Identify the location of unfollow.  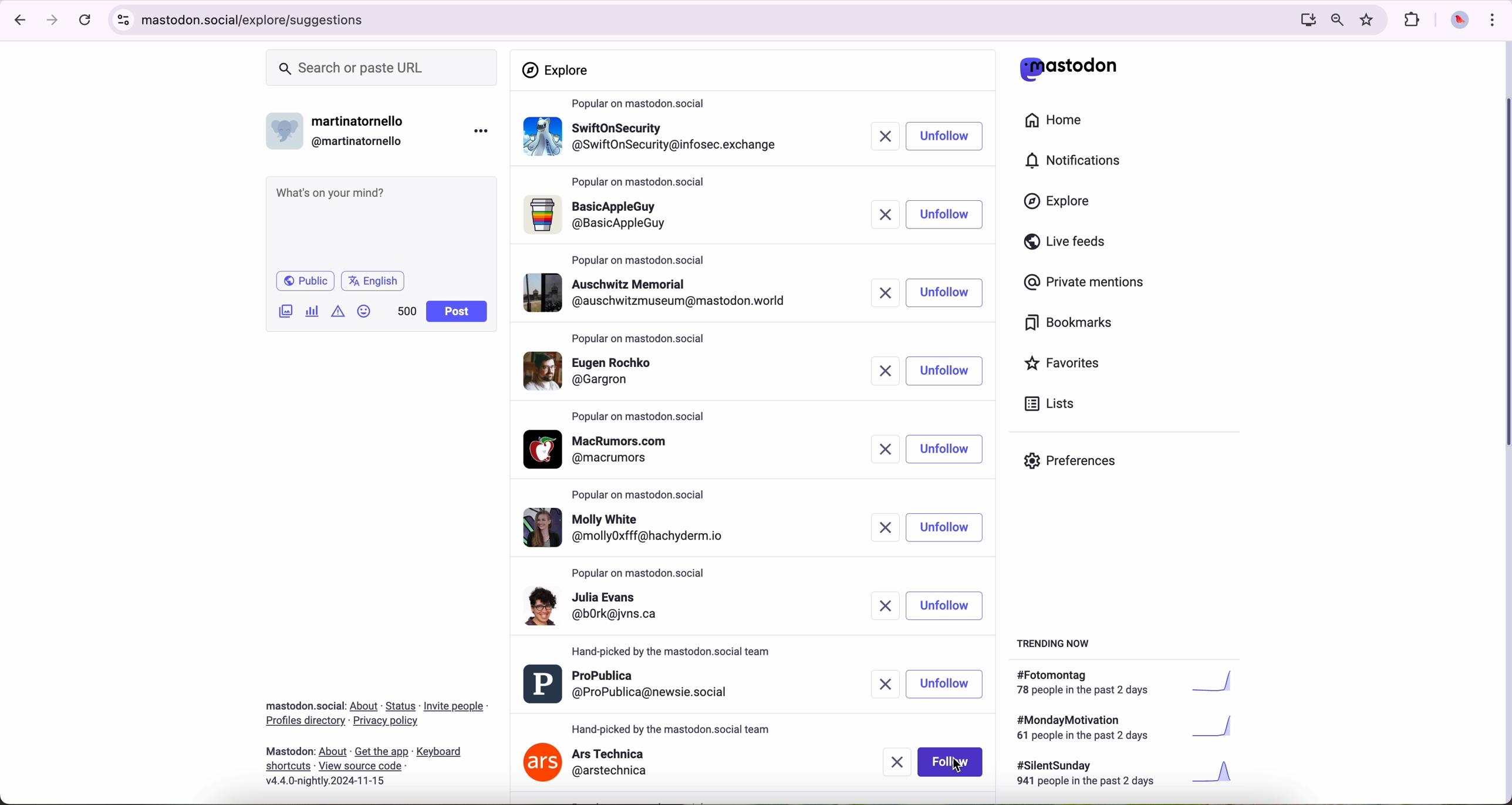
(947, 528).